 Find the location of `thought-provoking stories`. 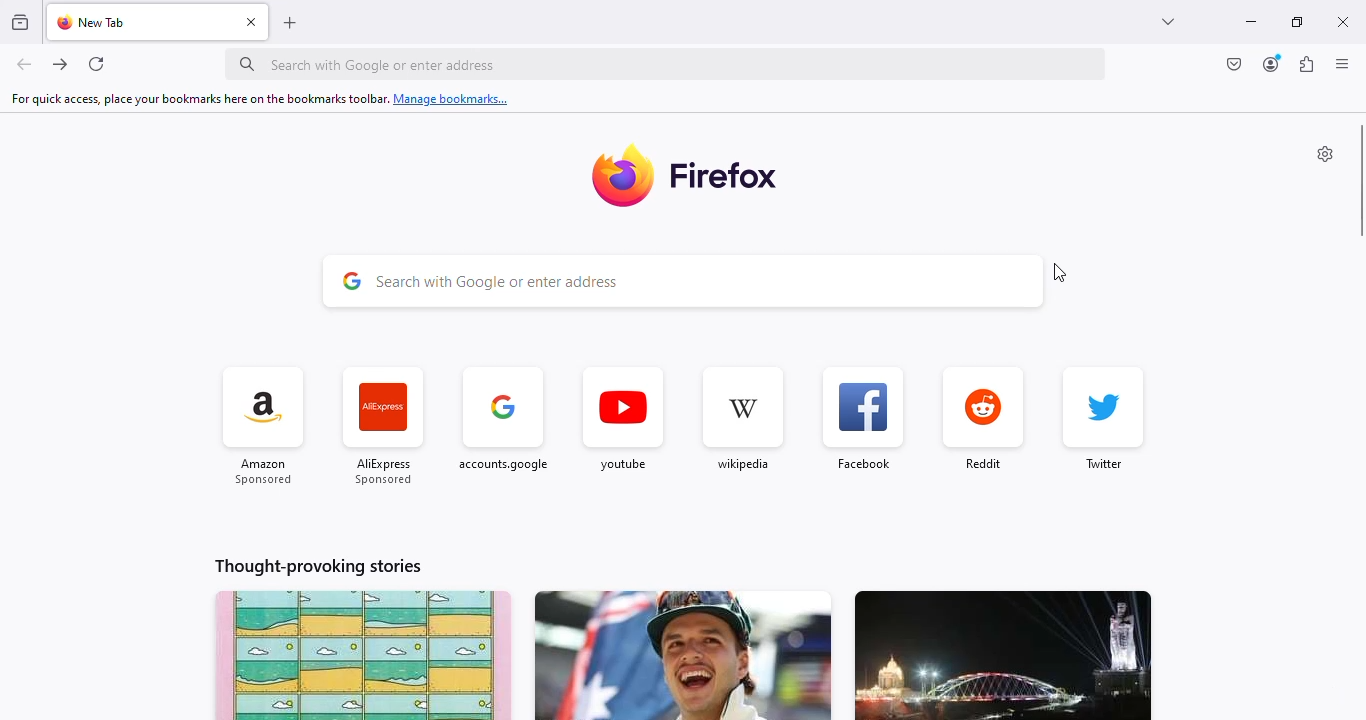

thought-provoking stories is located at coordinates (318, 566).